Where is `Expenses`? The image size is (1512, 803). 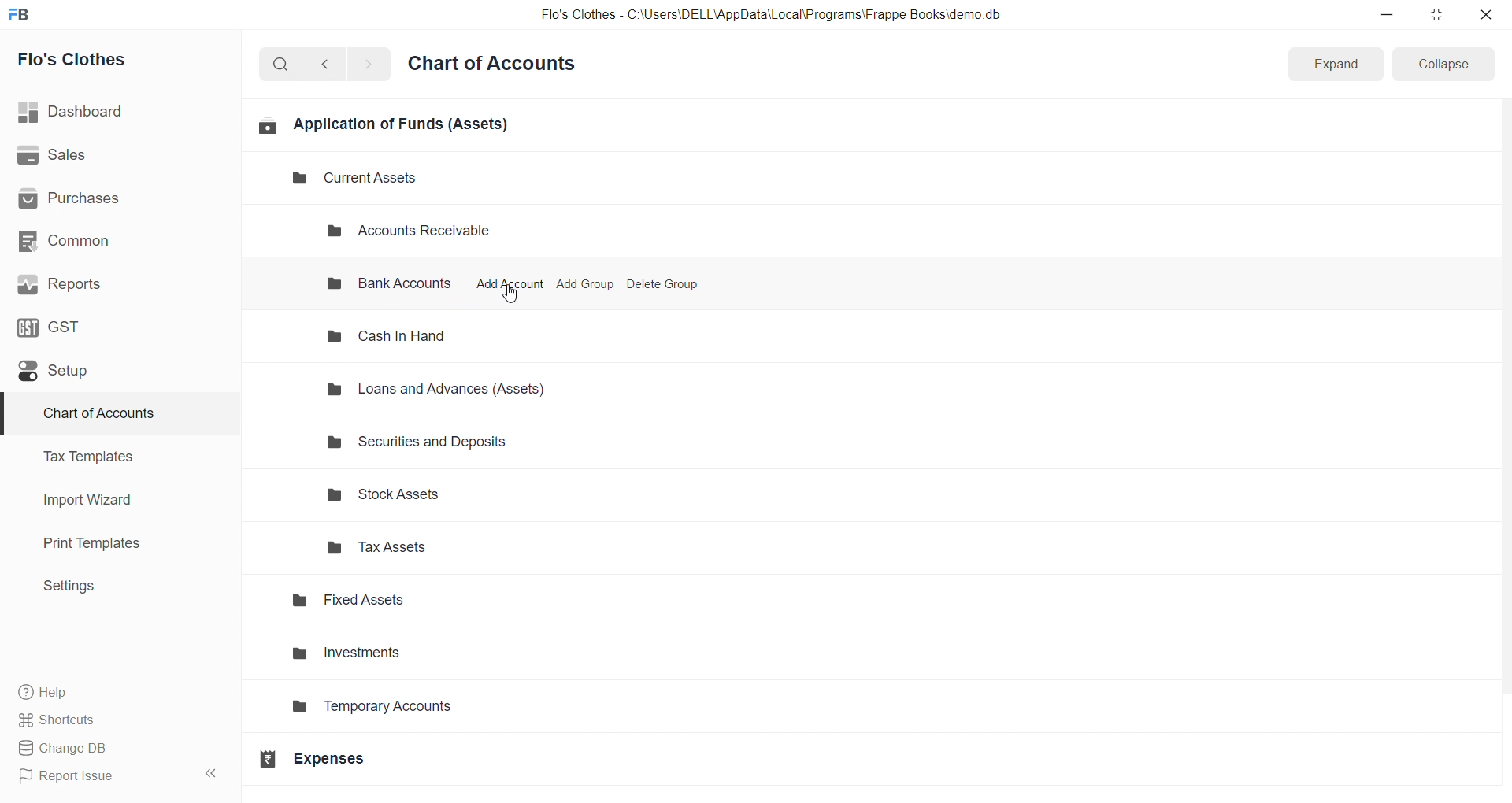 Expenses is located at coordinates (391, 758).